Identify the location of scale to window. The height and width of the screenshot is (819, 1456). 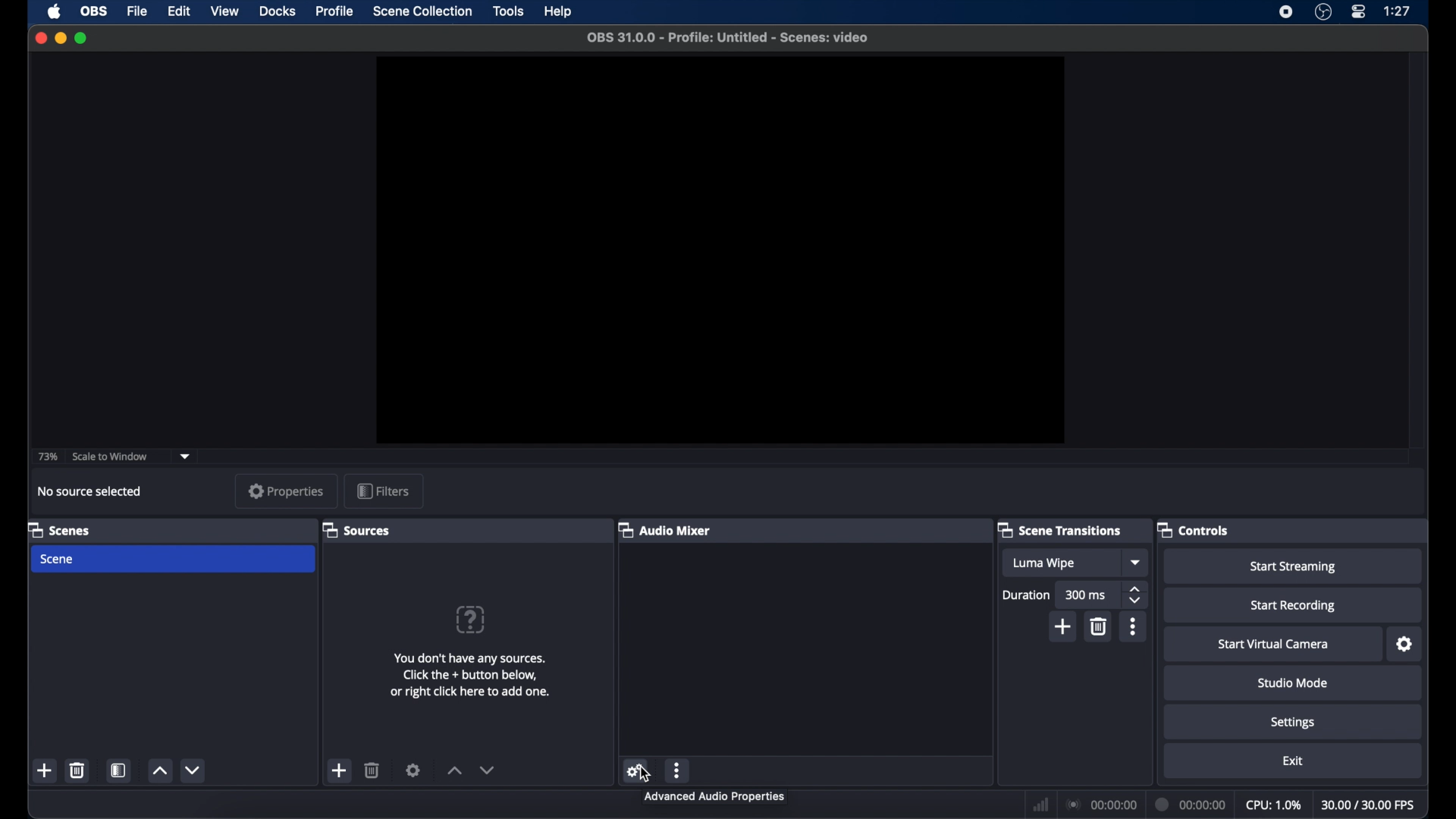
(112, 457).